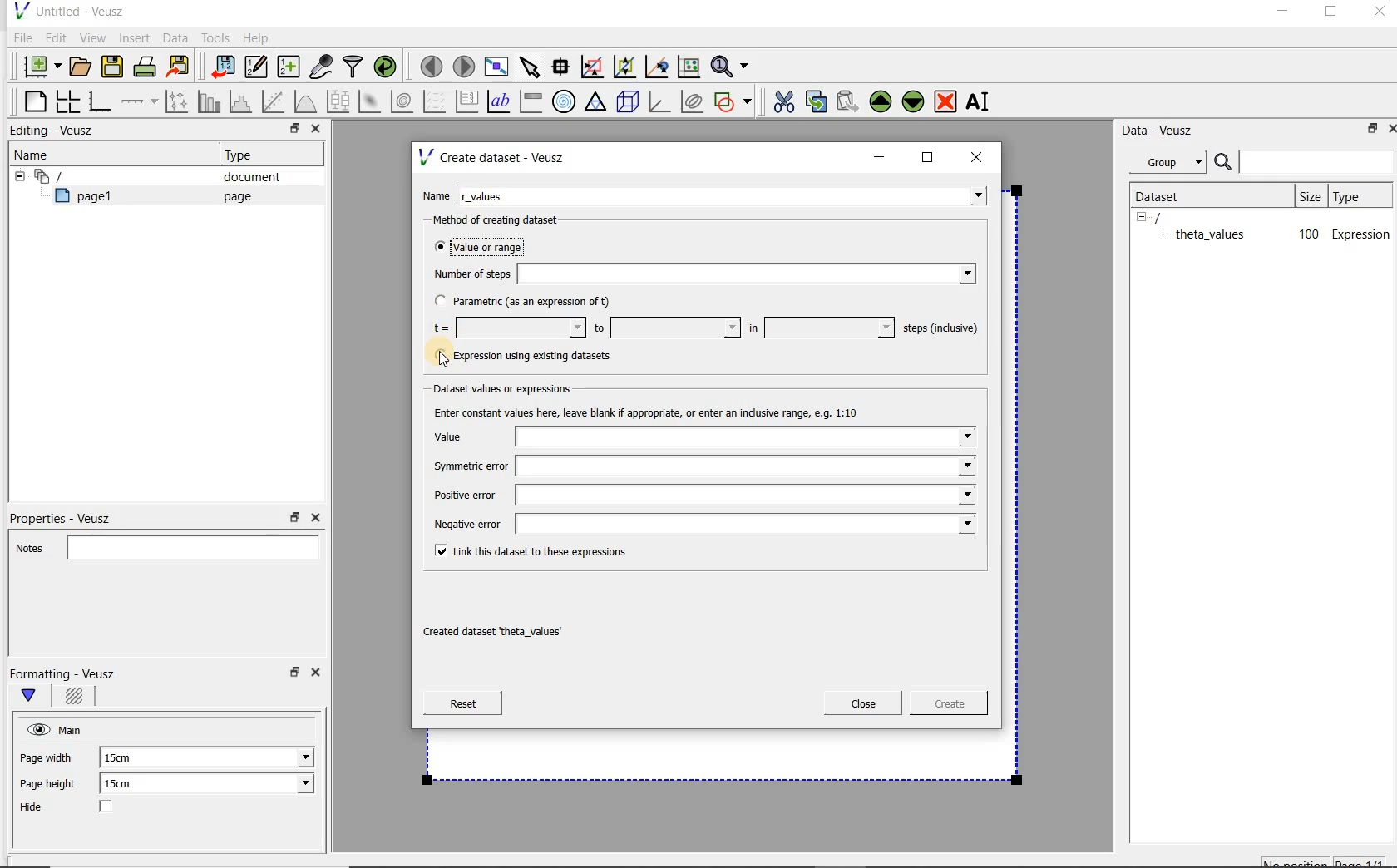 The width and height of the screenshot is (1397, 868). What do you see at coordinates (388, 67) in the screenshot?
I see `reload linked datasets` at bounding box center [388, 67].